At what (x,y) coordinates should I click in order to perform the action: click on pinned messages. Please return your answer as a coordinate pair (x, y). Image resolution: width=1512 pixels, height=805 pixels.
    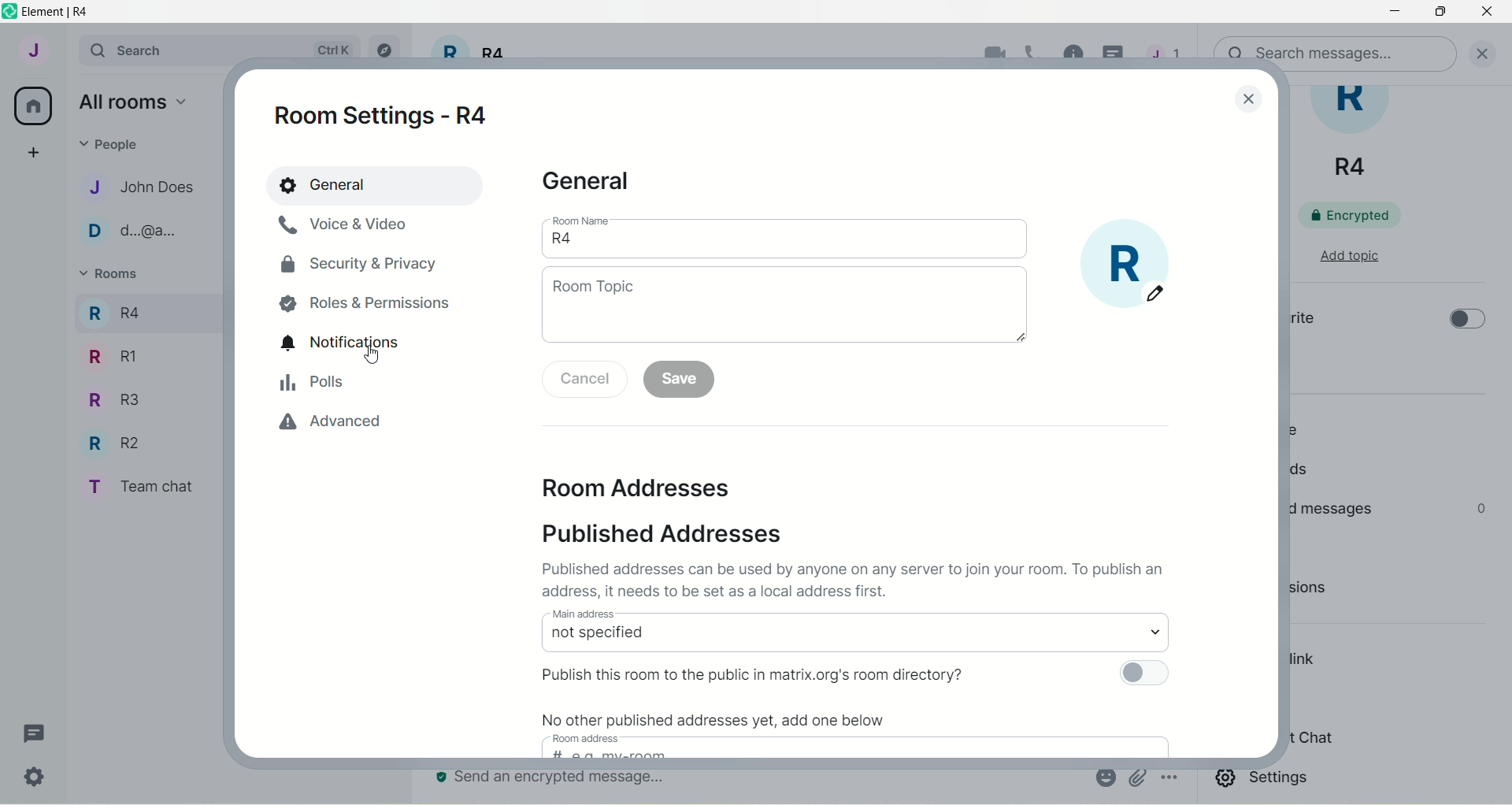
    Looking at the image, I should click on (1332, 508).